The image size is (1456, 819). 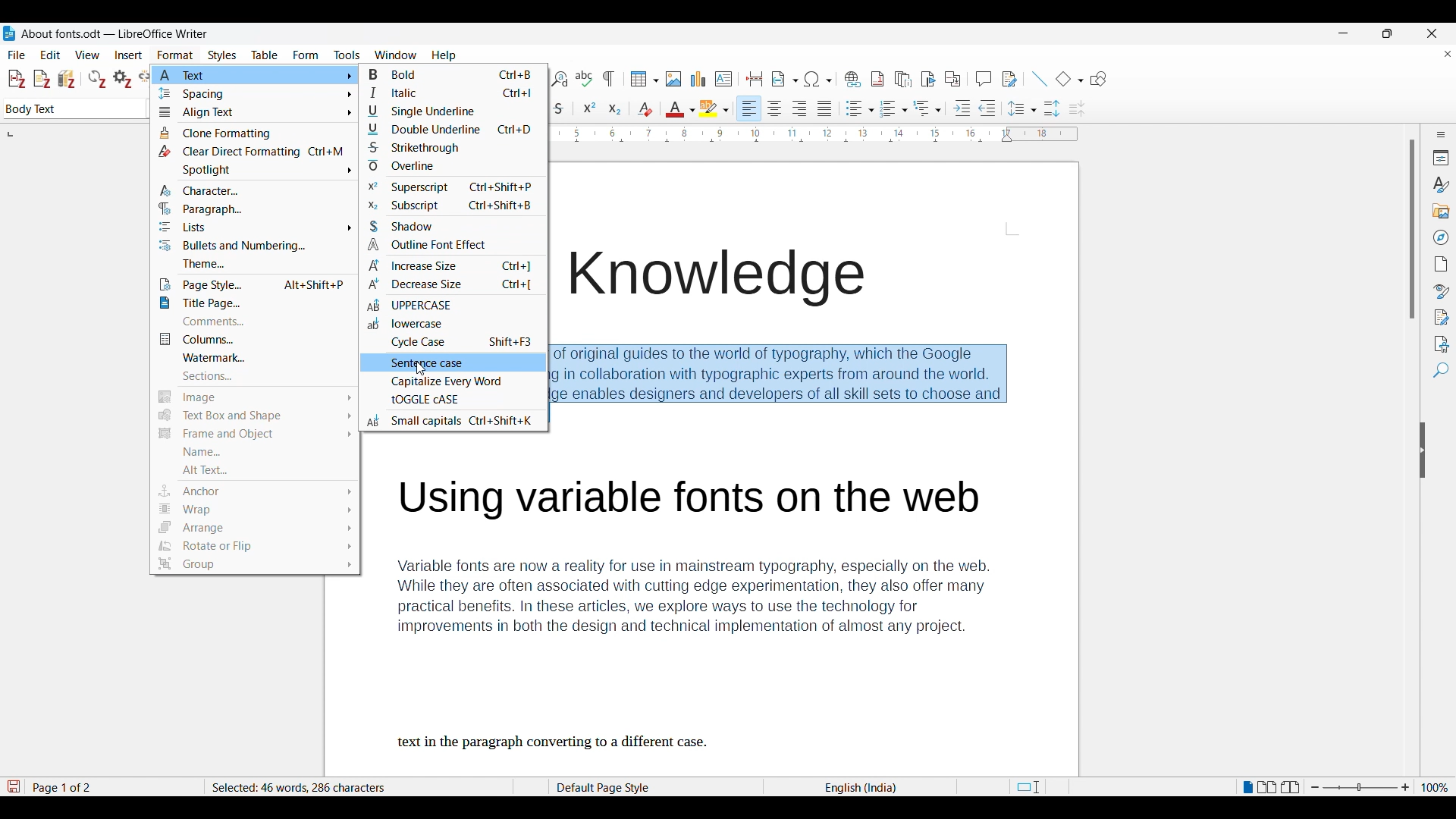 What do you see at coordinates (247, 375) in the screenshot?
I see `Sections` at bounding box center [247, 375].